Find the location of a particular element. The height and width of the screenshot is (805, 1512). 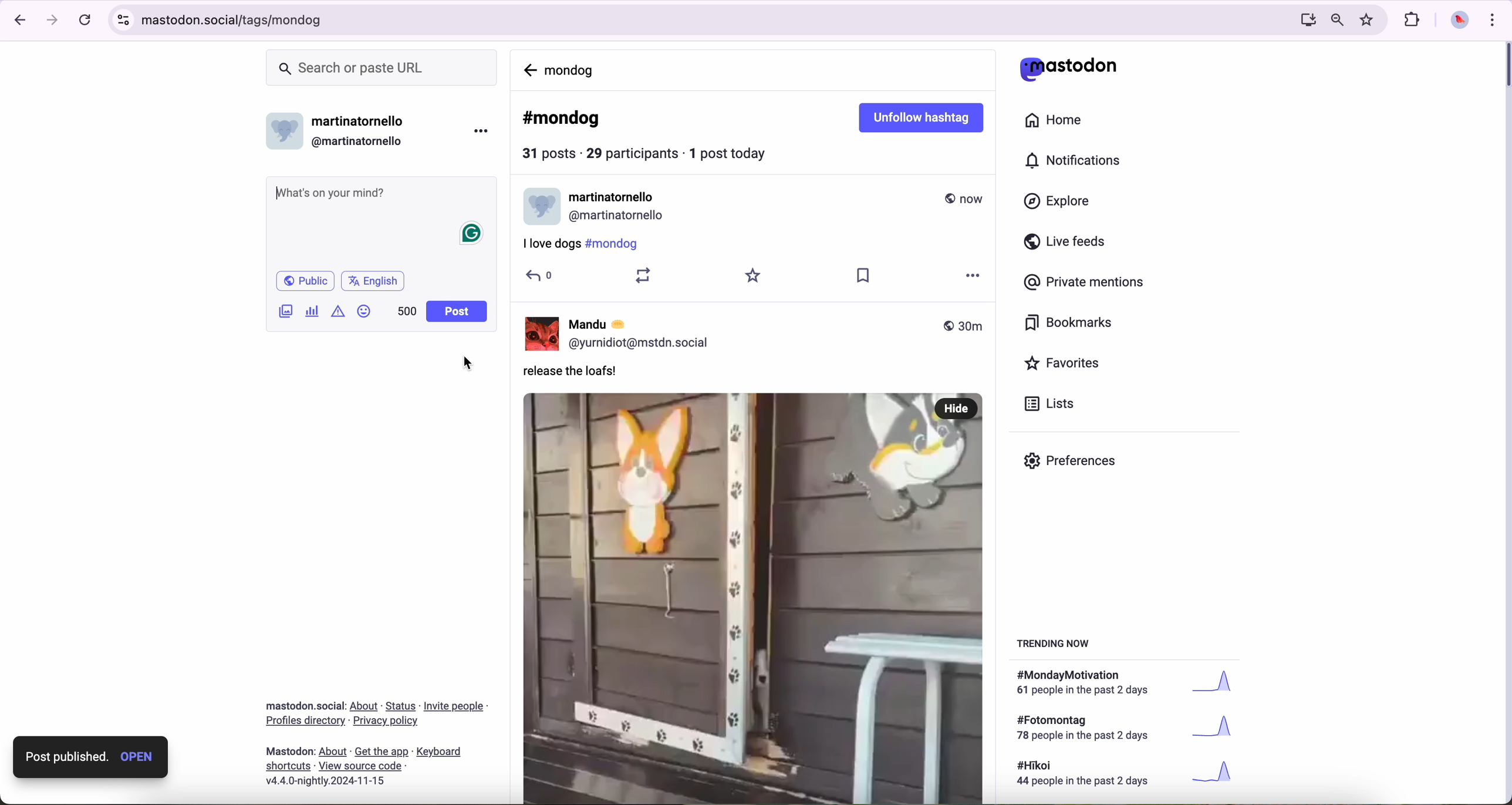

open is located at coordinates (140, 757).